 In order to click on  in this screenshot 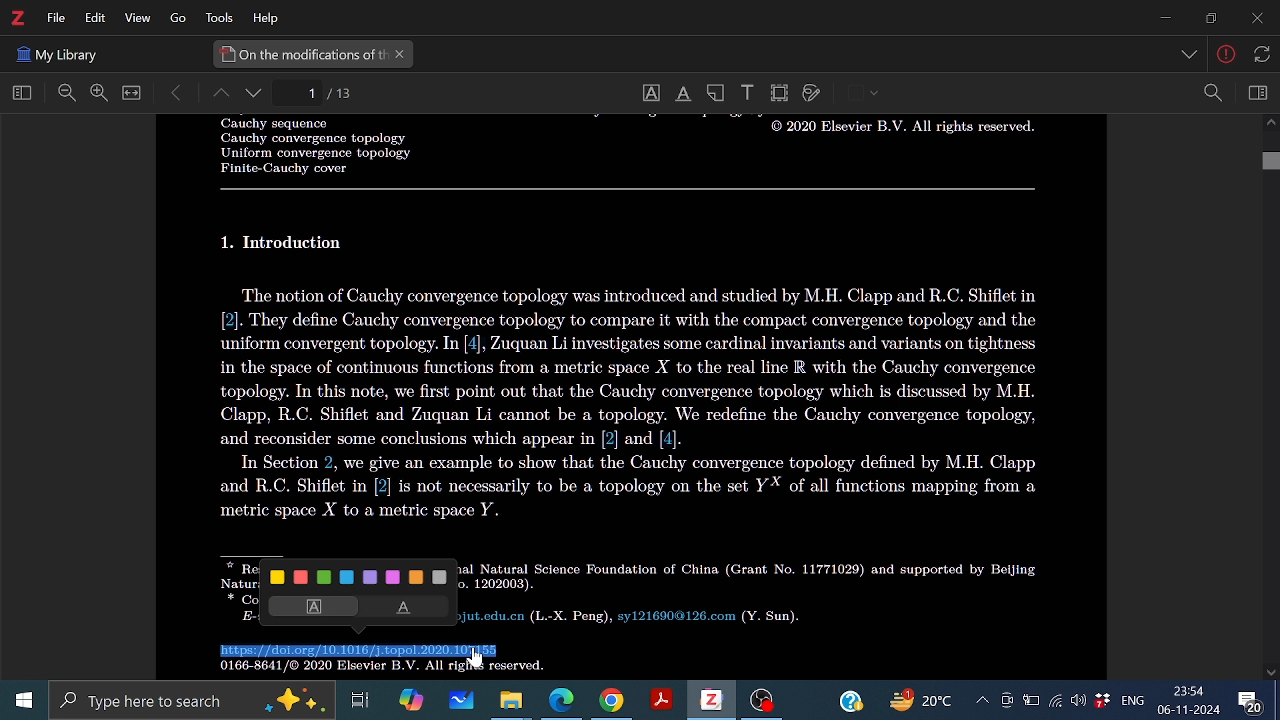, I will do `click(898, 131)`.